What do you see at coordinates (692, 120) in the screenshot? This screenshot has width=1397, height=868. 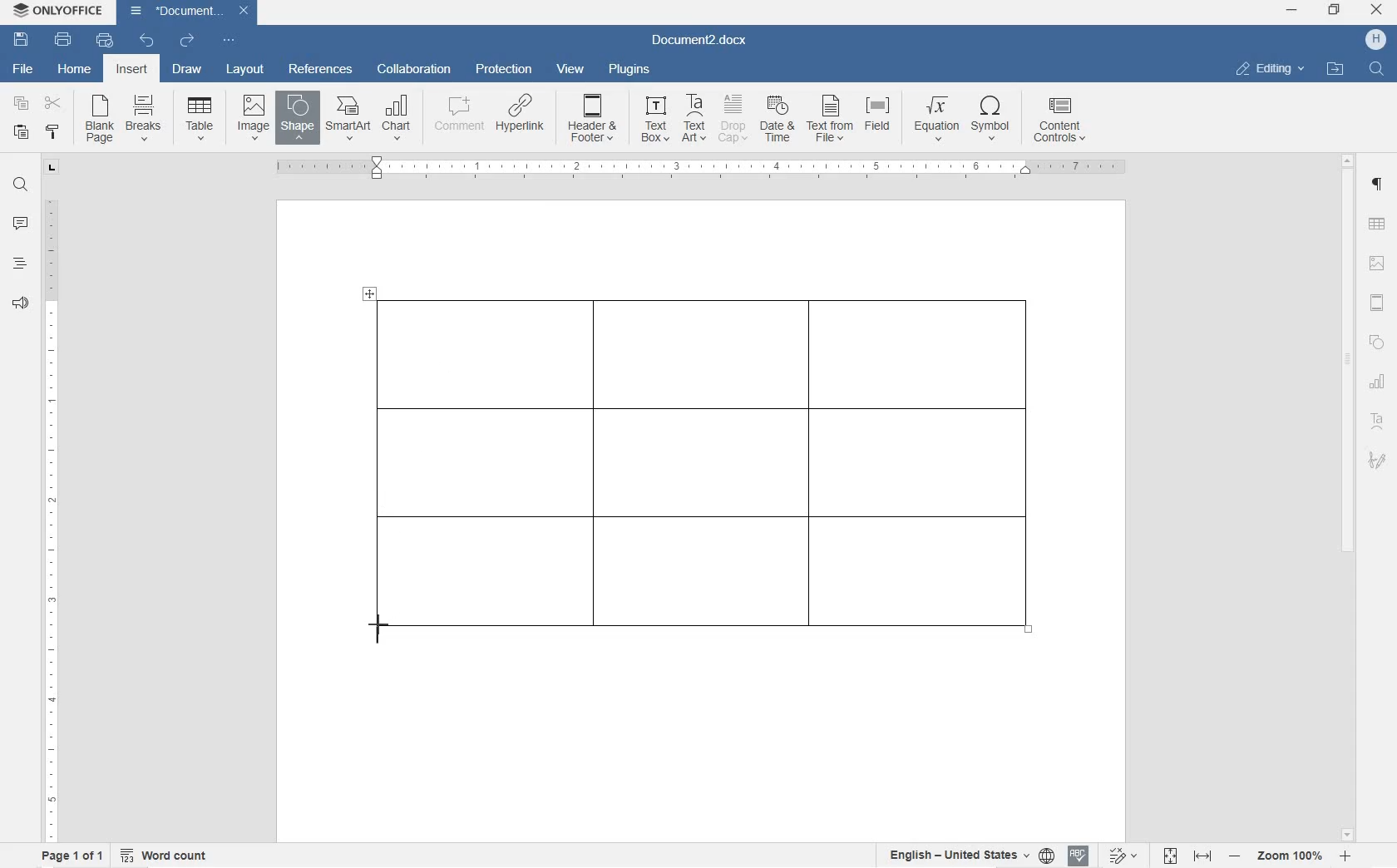 I see `TEXT ART` at bounding box center [692, 120].